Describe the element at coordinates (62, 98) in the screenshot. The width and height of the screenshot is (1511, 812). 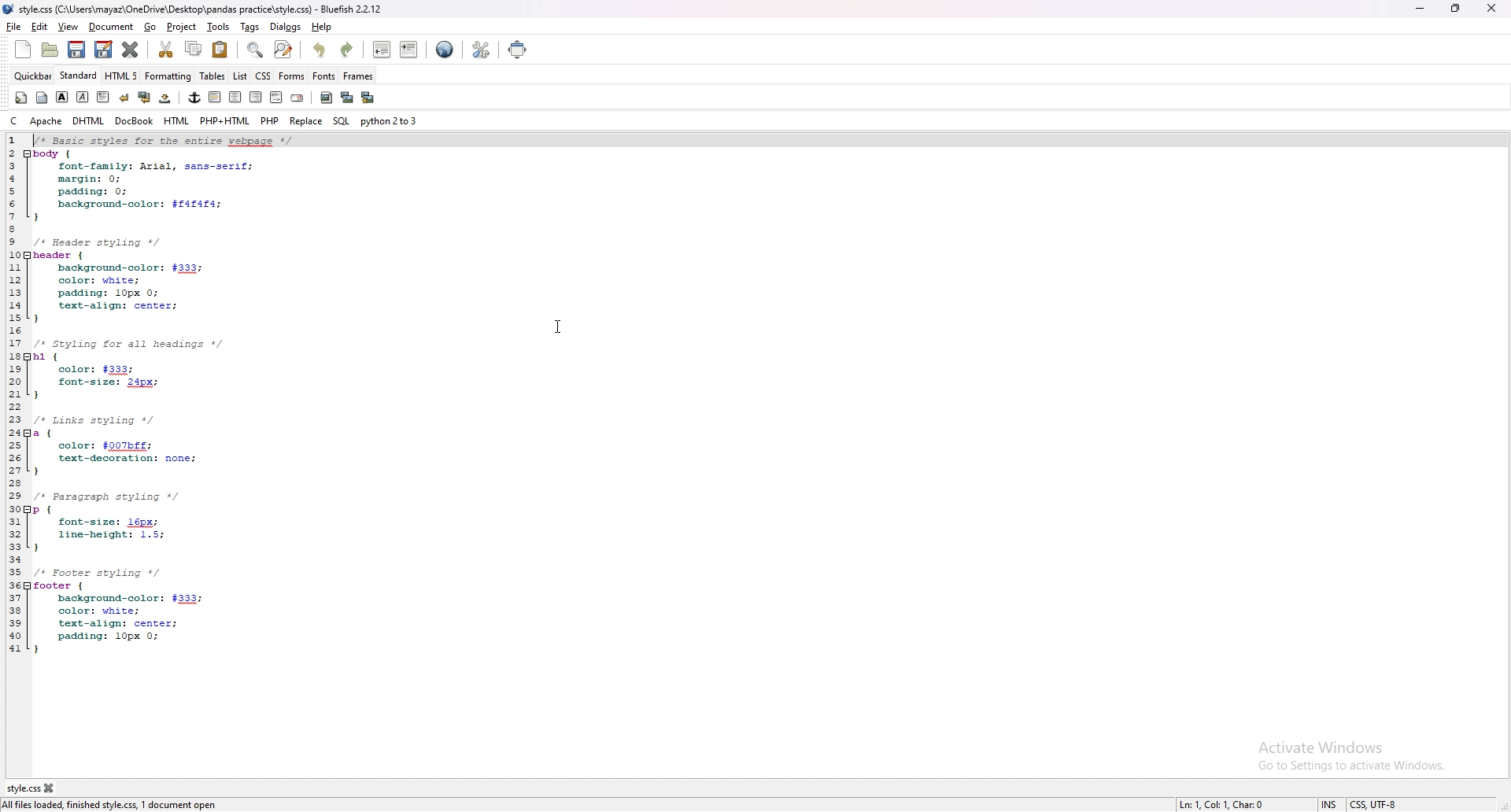
I see `bold` at that location.